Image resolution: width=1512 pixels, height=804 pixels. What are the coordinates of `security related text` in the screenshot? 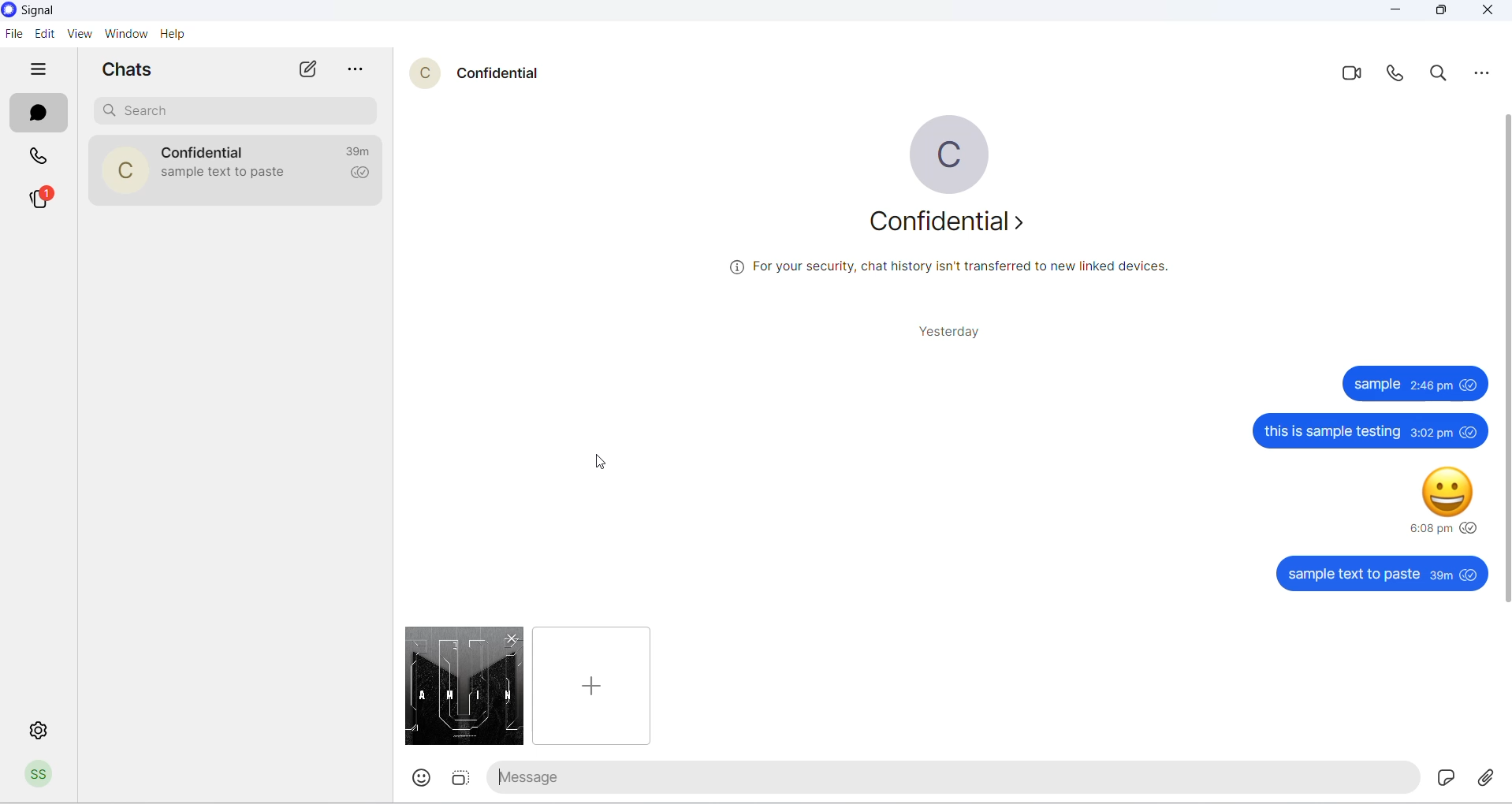 It's located at (954, 275).